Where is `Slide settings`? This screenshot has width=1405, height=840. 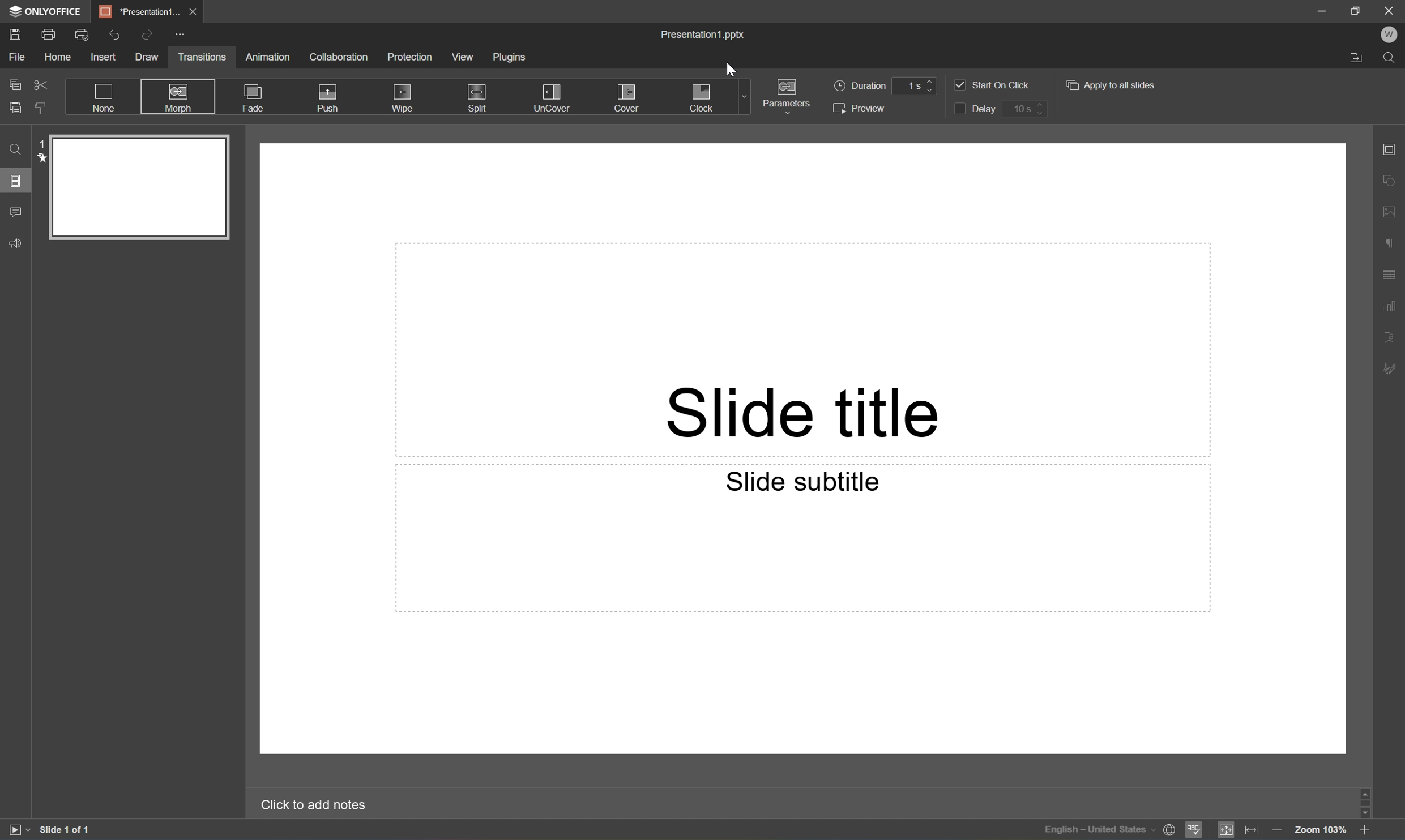
Slide settings is located at coordinates (1391, 151).